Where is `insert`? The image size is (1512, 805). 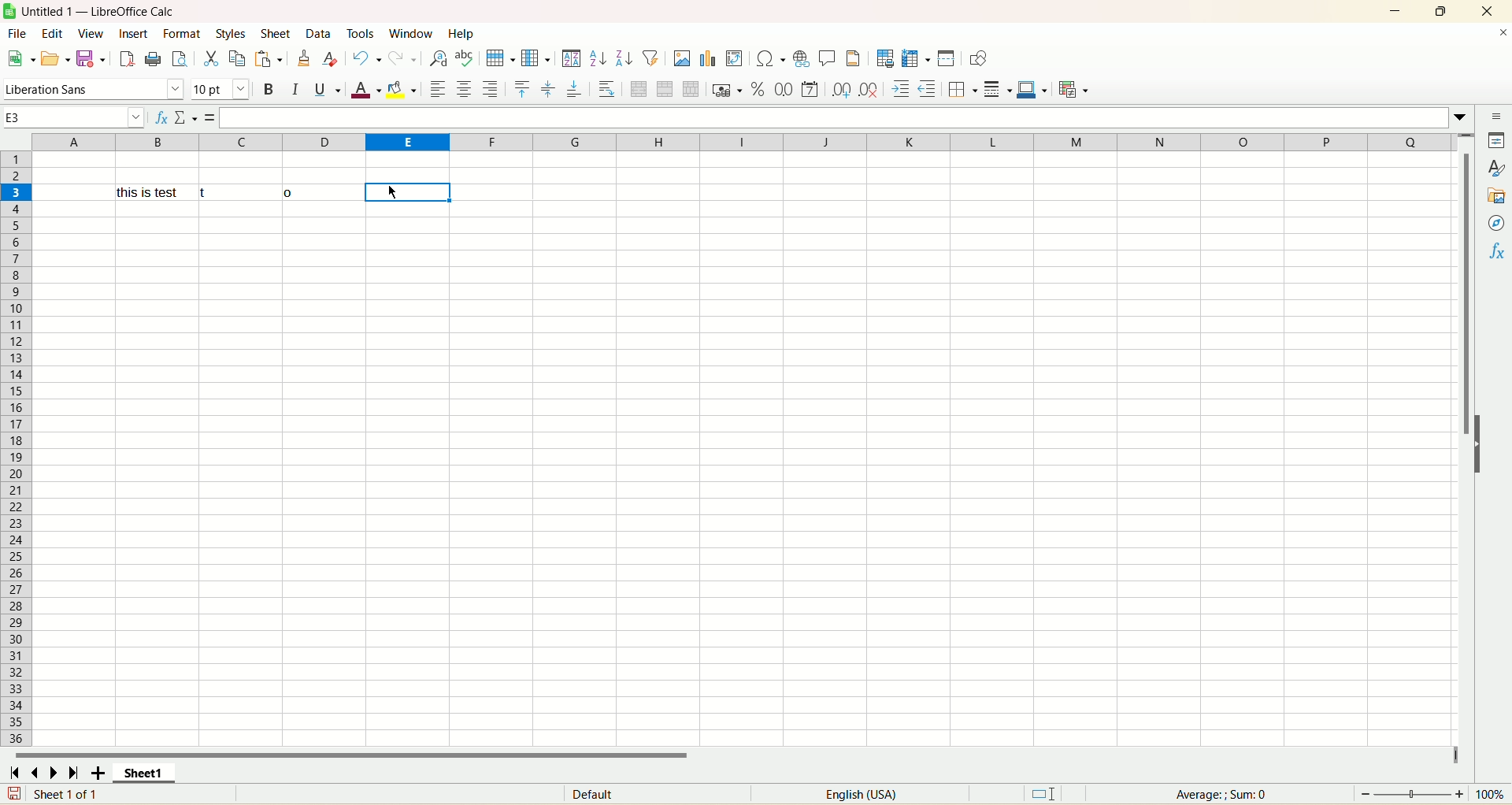
insert is located at coordinates (132, 33).